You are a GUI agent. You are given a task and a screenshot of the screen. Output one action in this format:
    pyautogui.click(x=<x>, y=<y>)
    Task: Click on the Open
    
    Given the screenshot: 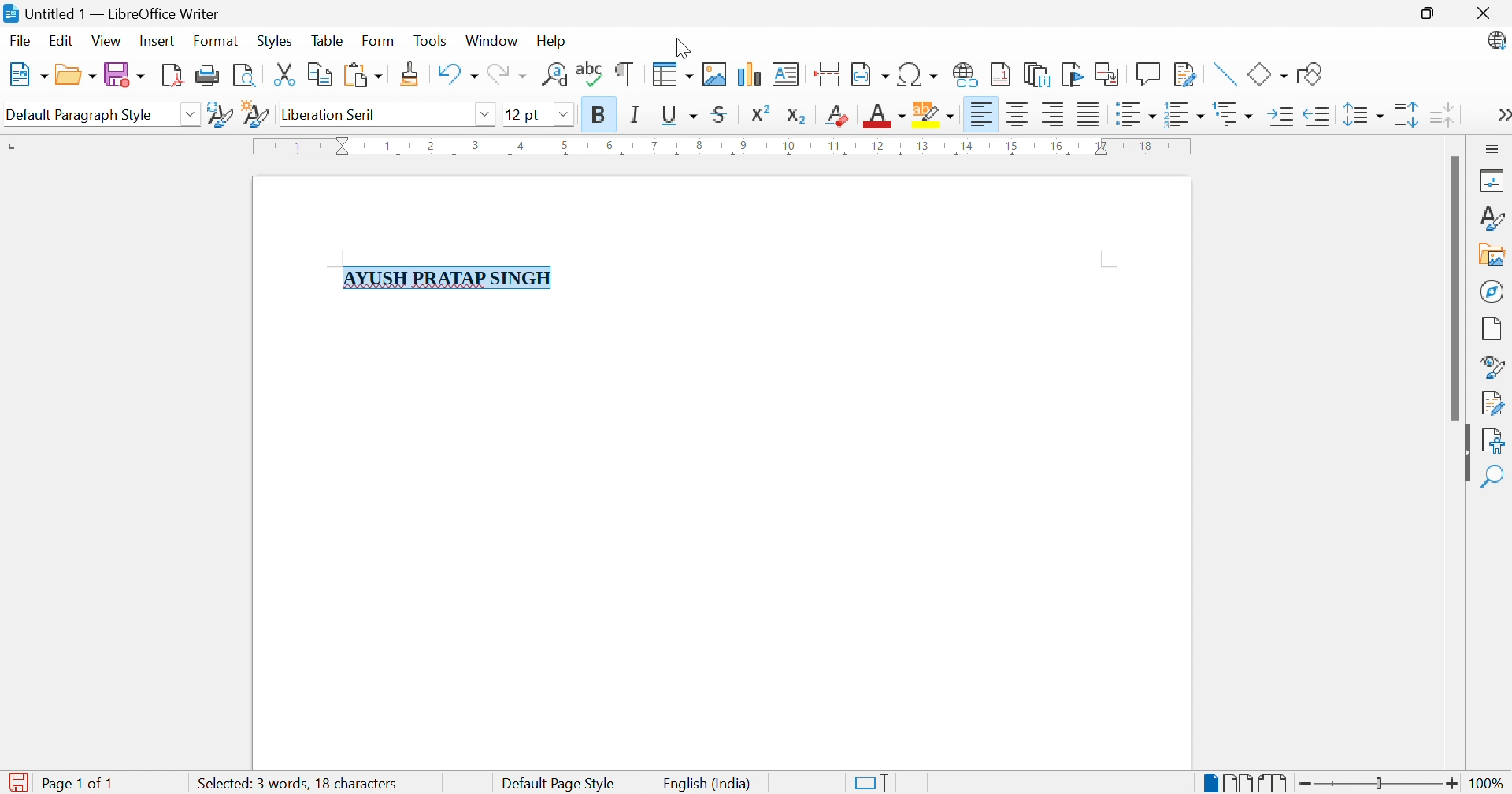 What is the action you would take?
    pyautogui.click(x=77, y=75)
    